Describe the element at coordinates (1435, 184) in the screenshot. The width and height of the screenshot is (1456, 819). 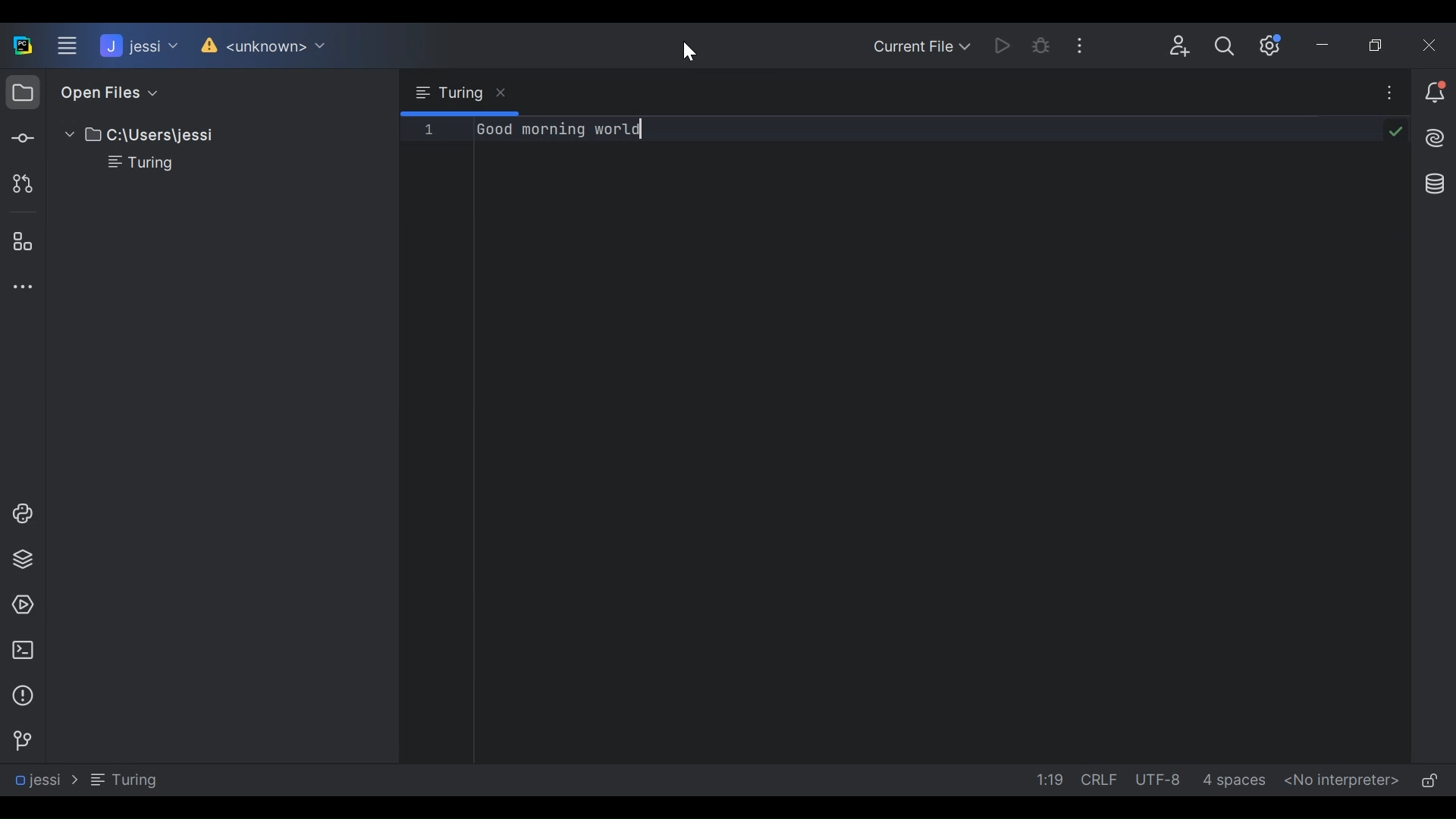
I see `Database` at that location.